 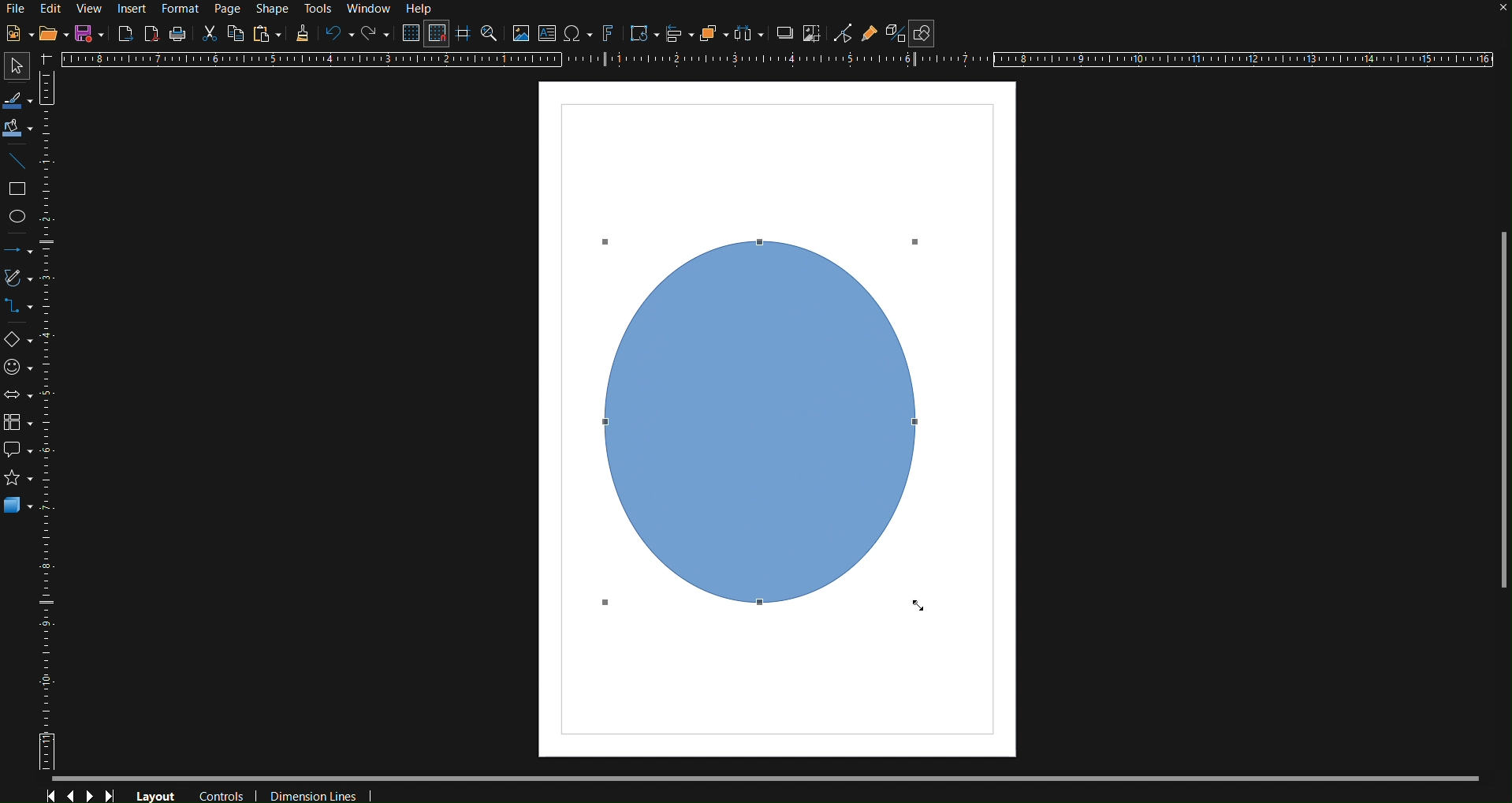 What do you see at coordinates (462, 34) in the screenshot?
I see `Helplines while moving` at bounding box center [462, 34].